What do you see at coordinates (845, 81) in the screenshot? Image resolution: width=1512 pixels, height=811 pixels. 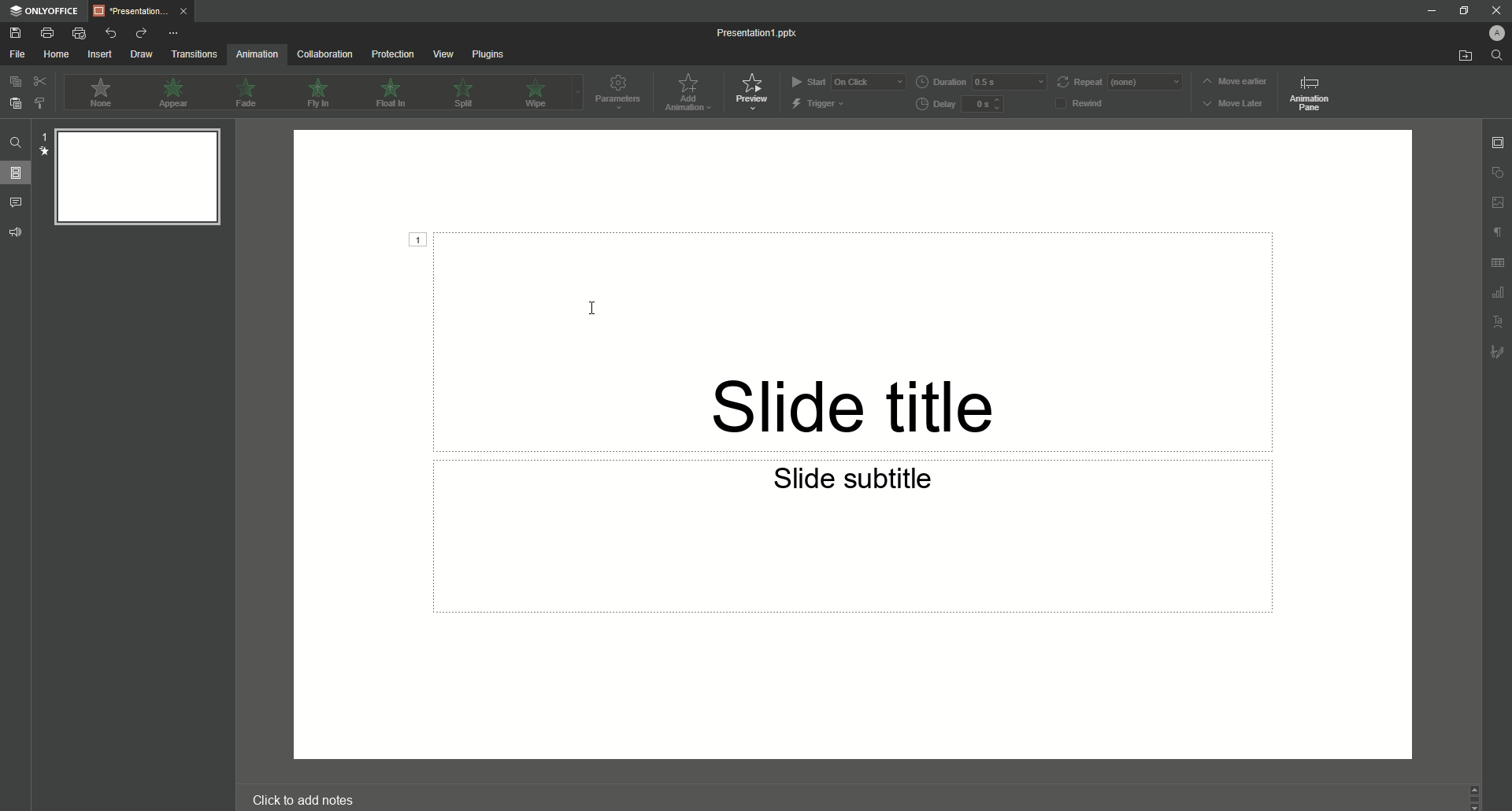 I see `Start` at bounding box center [845, 81].